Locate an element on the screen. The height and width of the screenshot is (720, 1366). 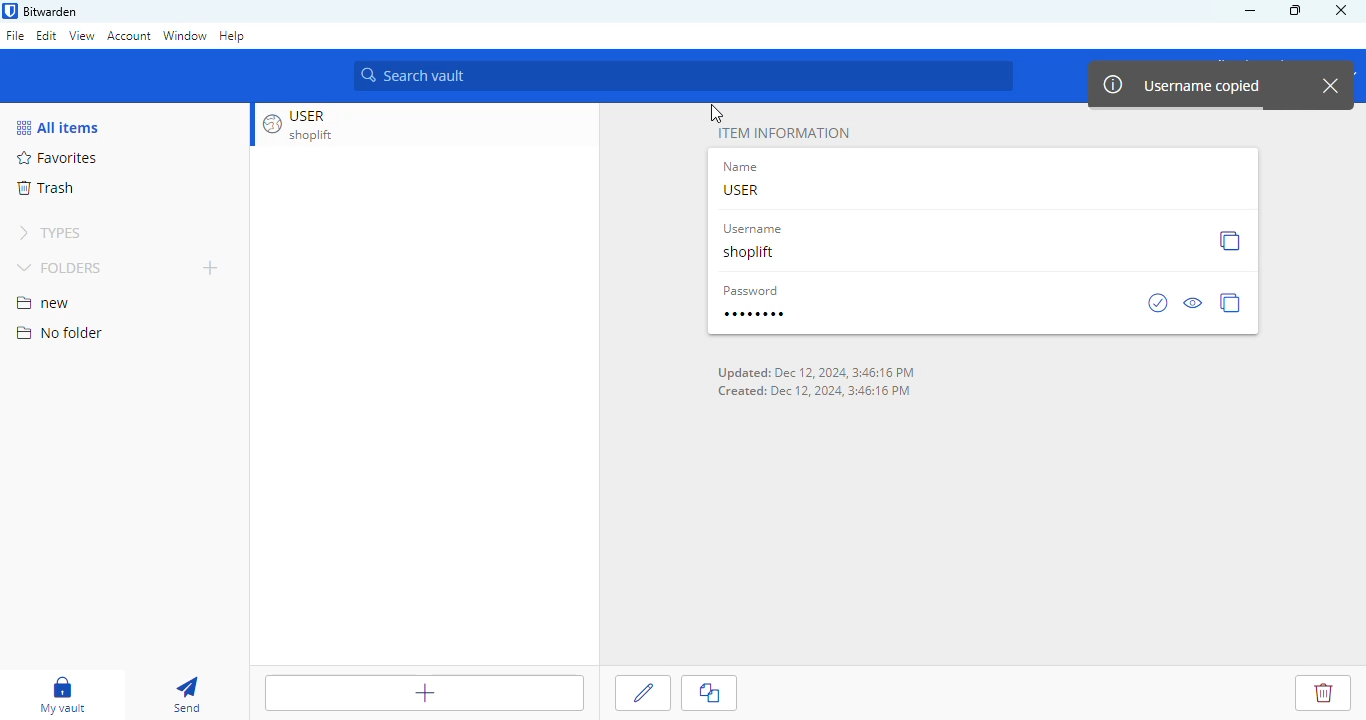
username copied is located at coordinates (1184, 86).